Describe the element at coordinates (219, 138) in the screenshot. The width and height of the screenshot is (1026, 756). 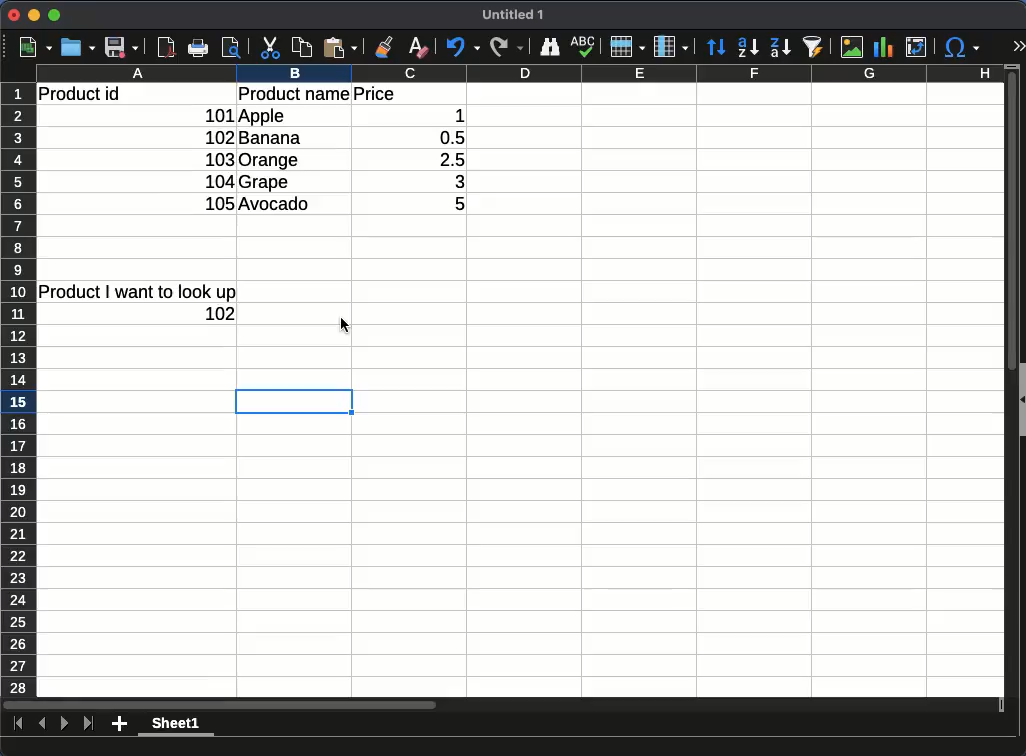
I see `102` at that location.